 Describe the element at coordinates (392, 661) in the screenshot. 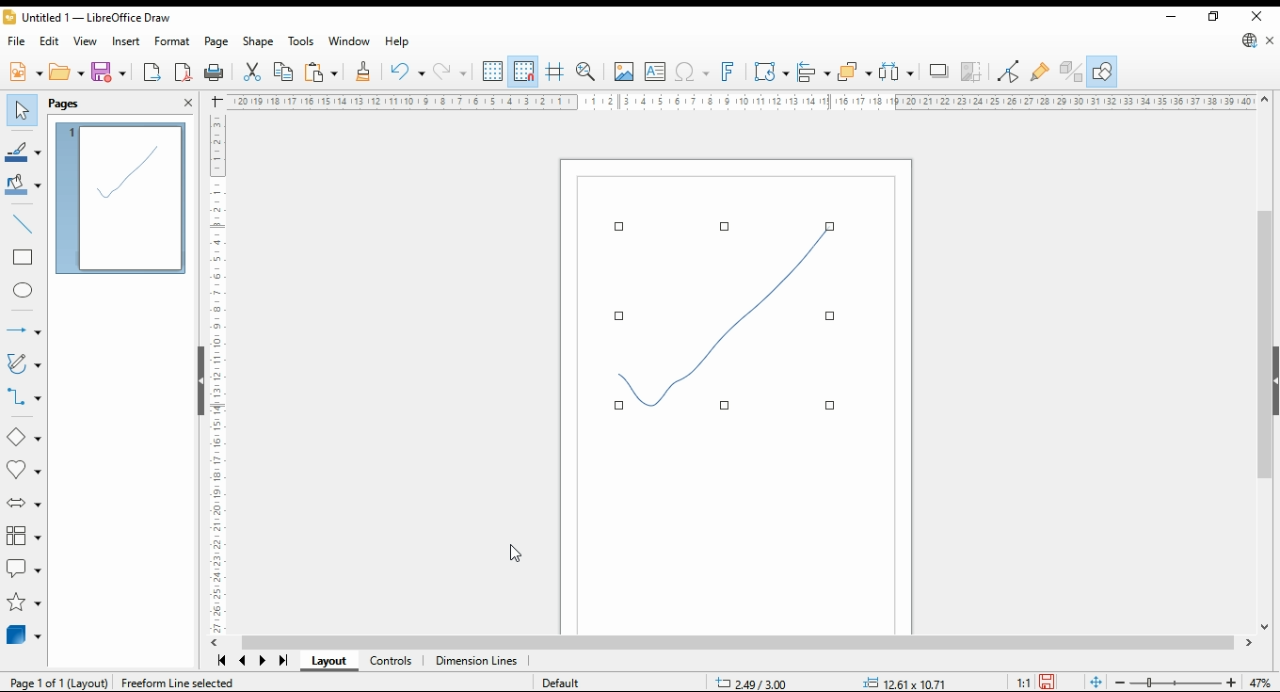

I see `controls` at that location.